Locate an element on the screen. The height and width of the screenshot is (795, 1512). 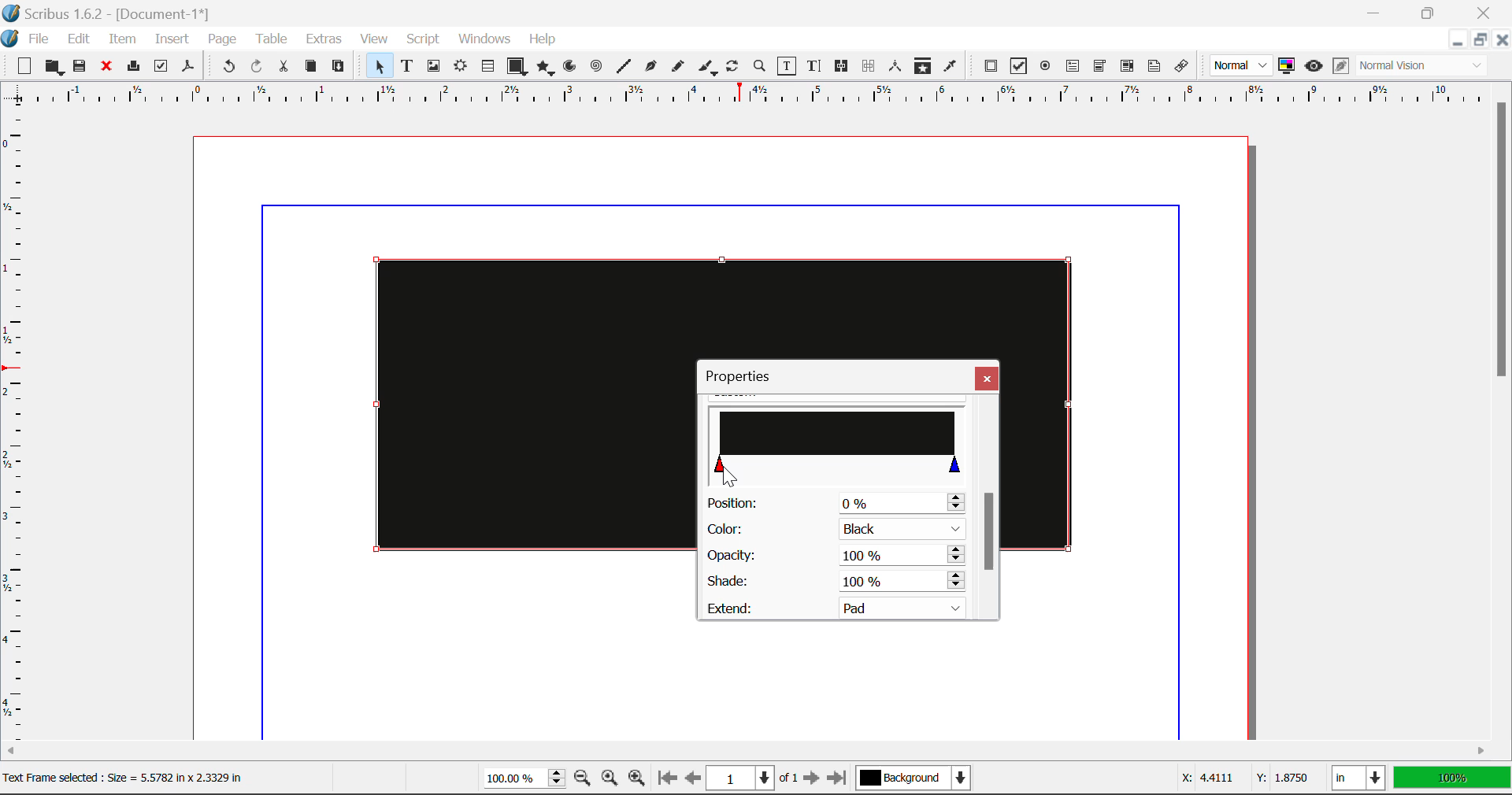
Text Frames is located at coordinates (407, 68).